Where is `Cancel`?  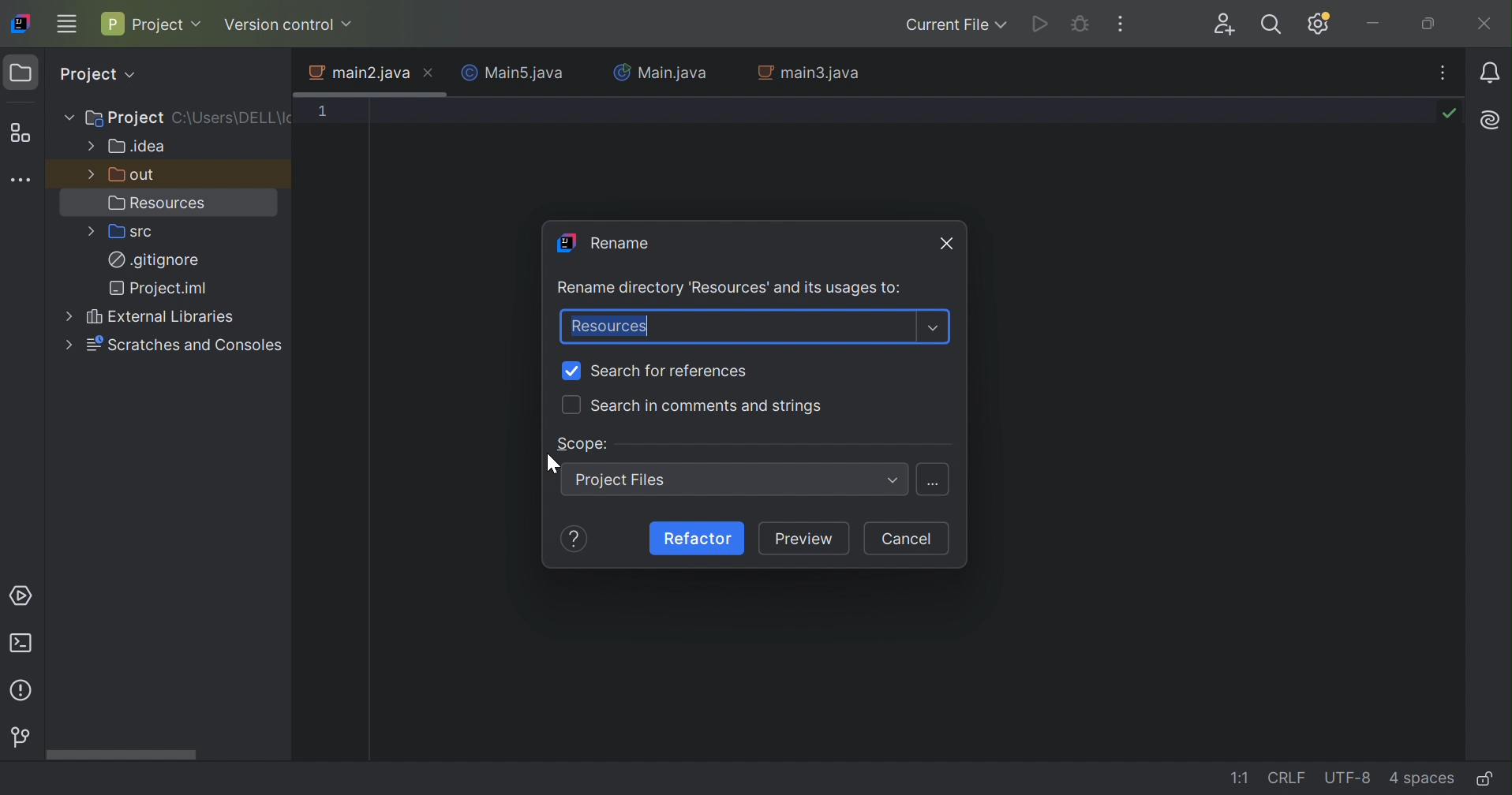
Cancel is located at coordinates (904, 539).